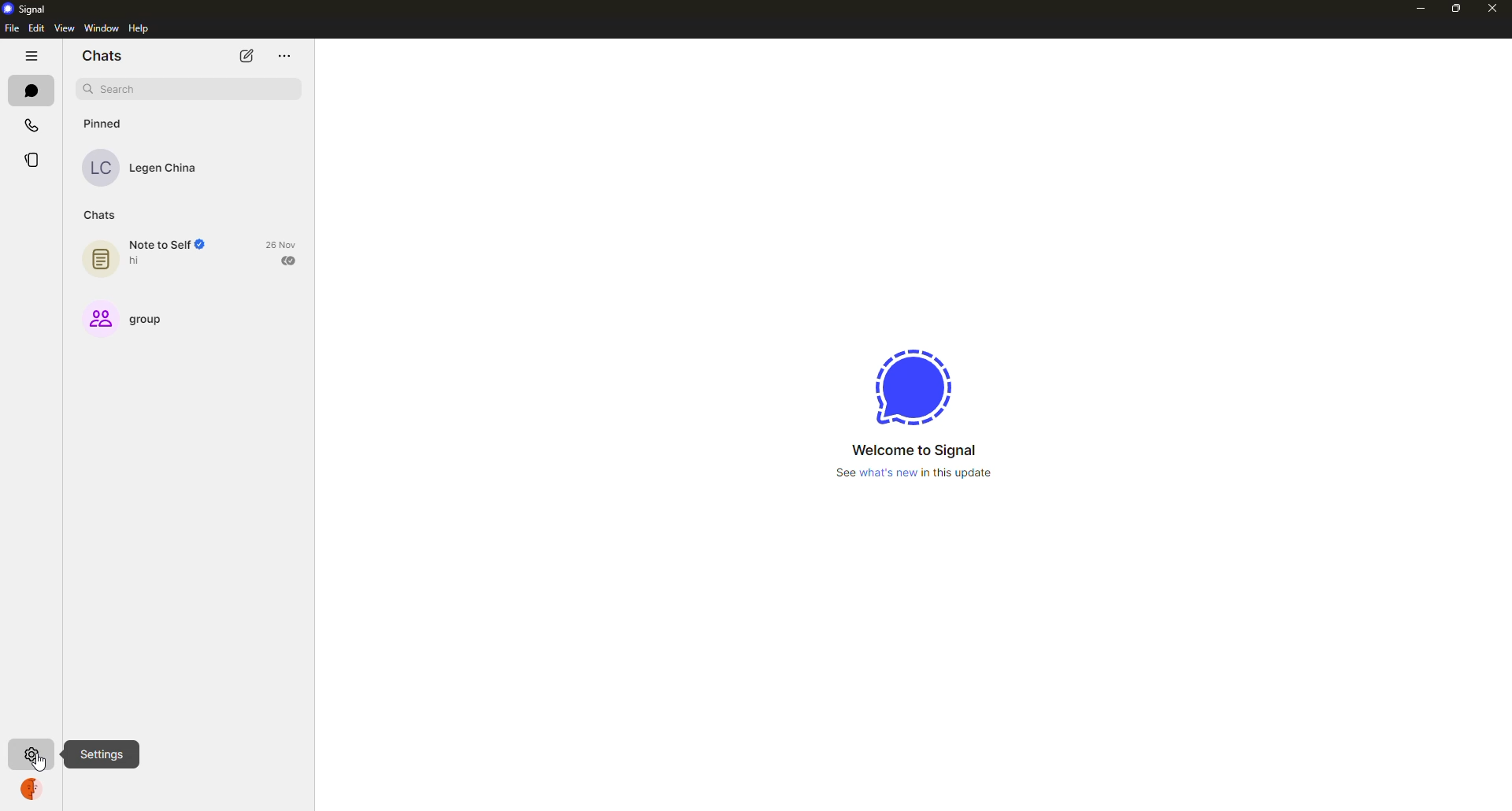 The width and height of the screenshot is (1512, 811). What do you see at coordinates (116, 89) in the screenshot?
I see `search` at bounding box center [116, 89].